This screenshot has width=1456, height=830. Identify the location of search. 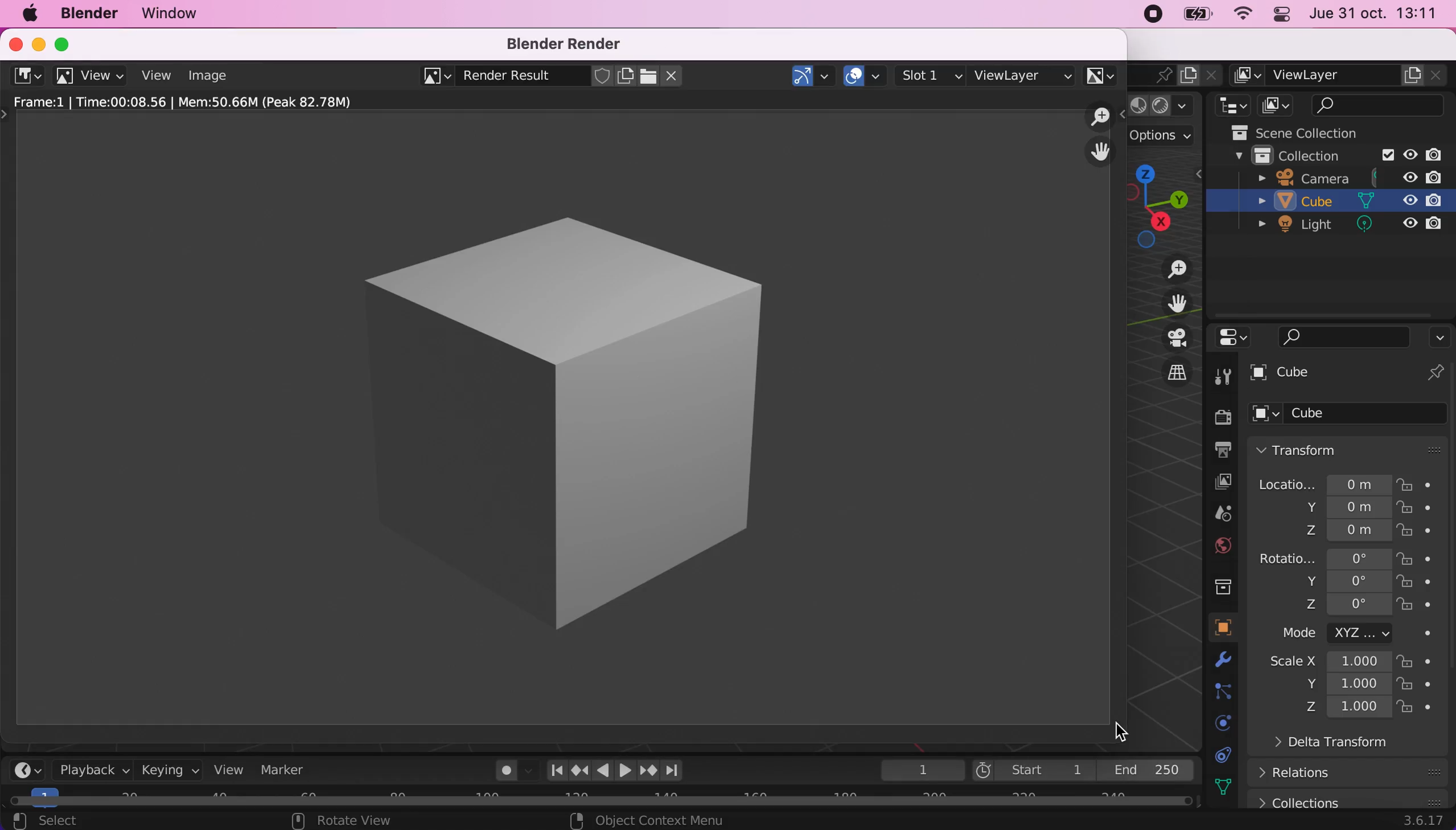
(1380, 105).